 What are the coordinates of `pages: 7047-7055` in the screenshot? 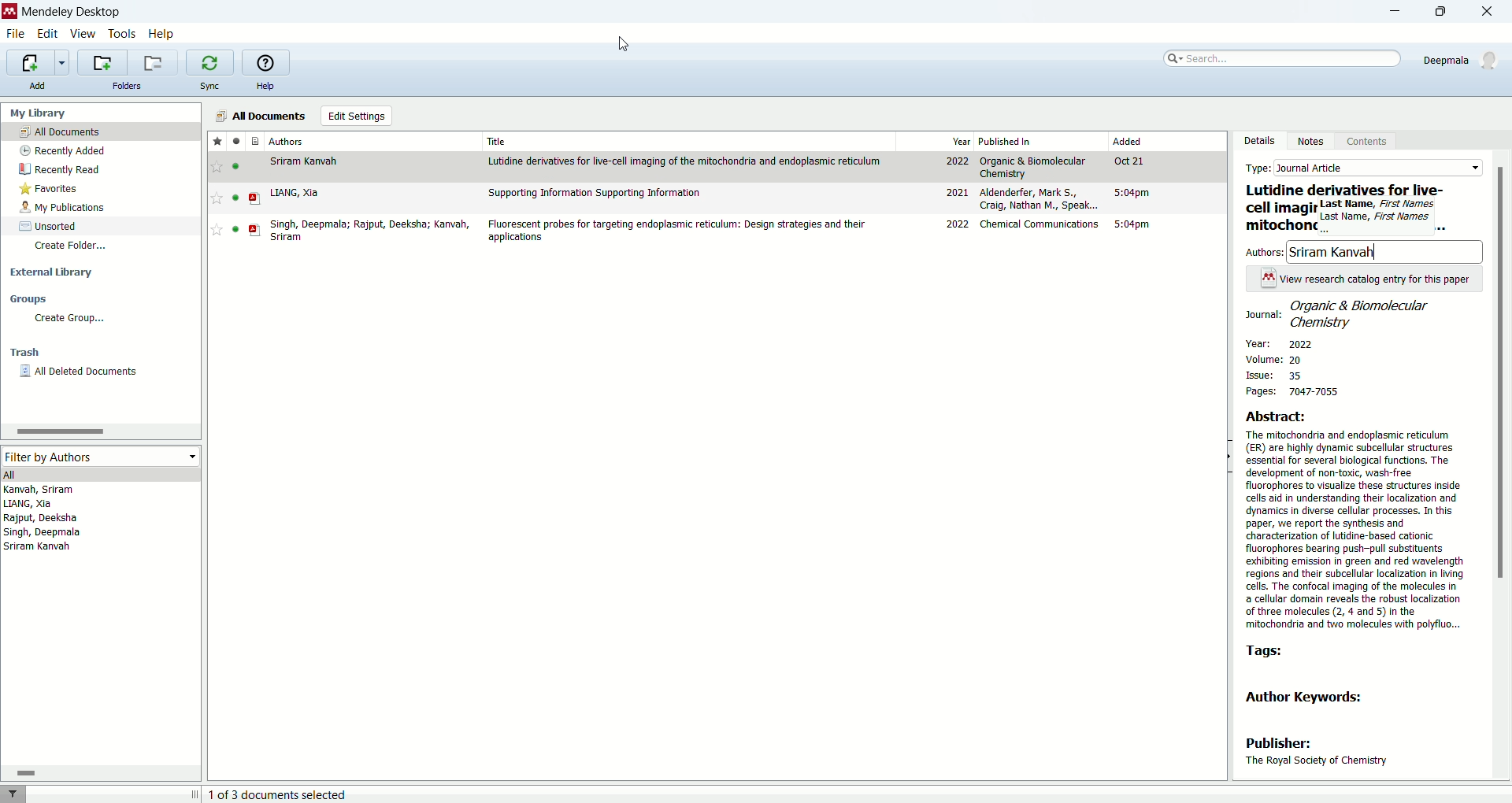 It's located at (1289, 393).